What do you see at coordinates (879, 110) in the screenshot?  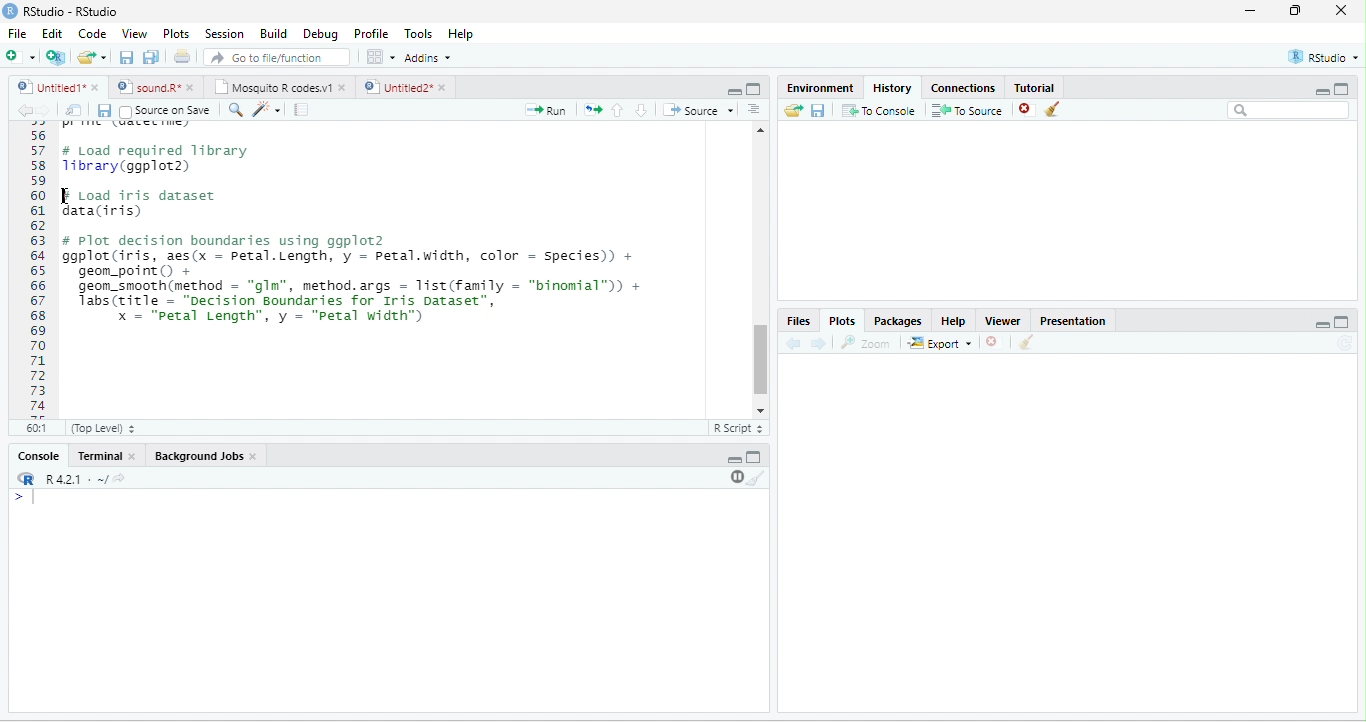 I see `To console` at bounding box center [879, 110].